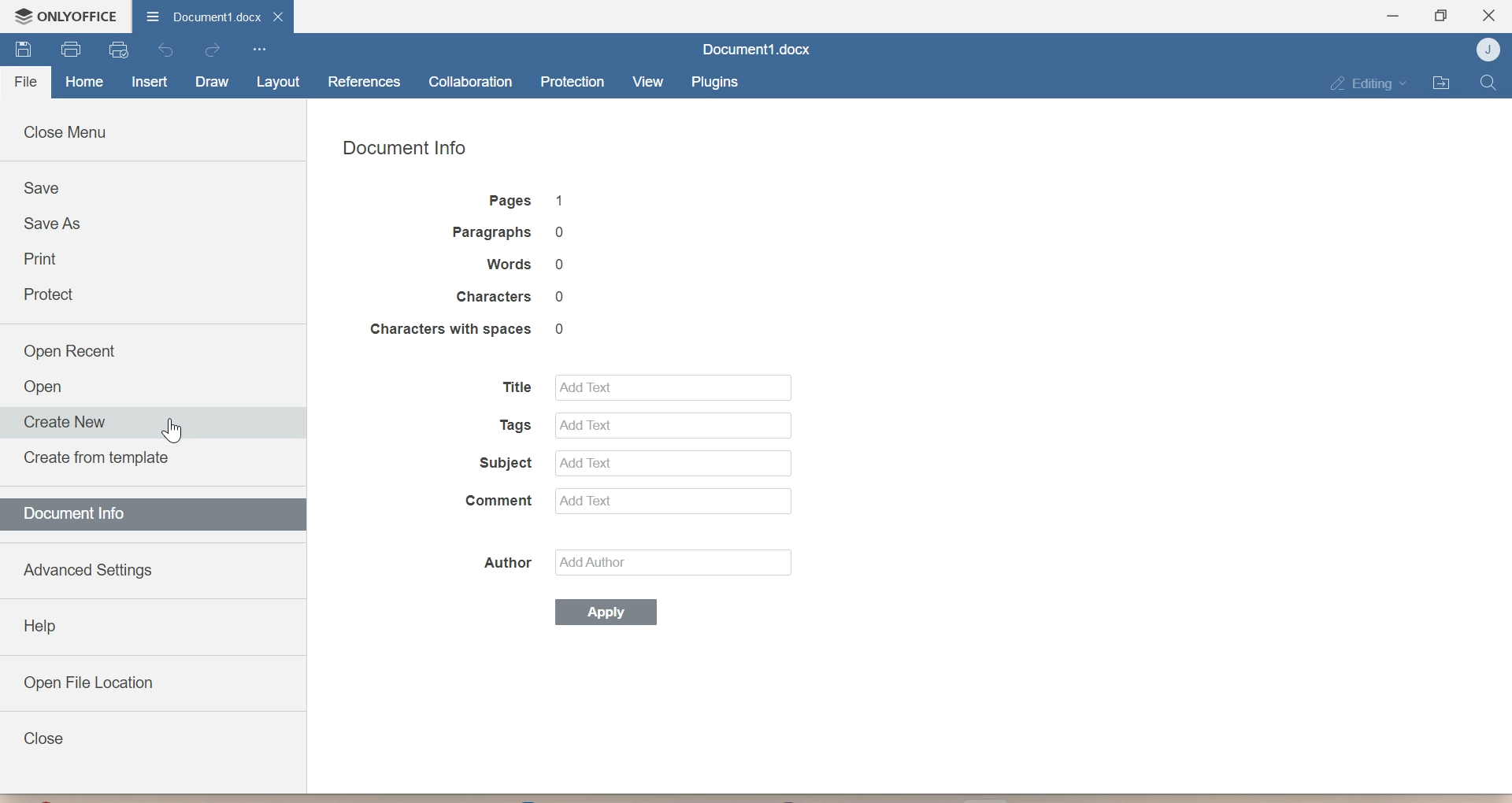  Describe the element at coordinates (572, 79) in the screenshot. I see `Protection` at that location.